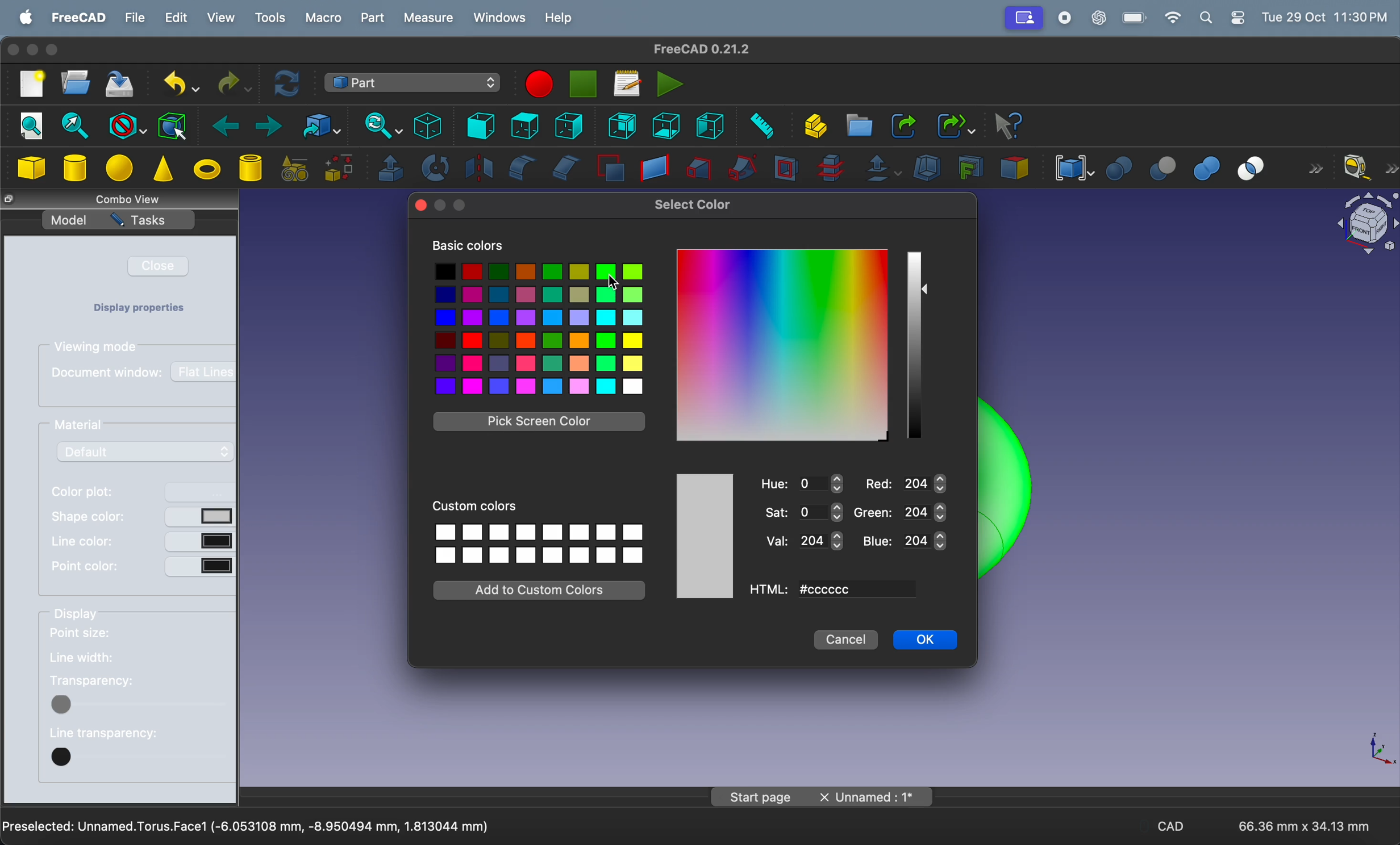 The height and width of the screenshot is (845, 1400). Describe the element at coordinates (830, 169) in the screenshot. I see `cross section` at that location.